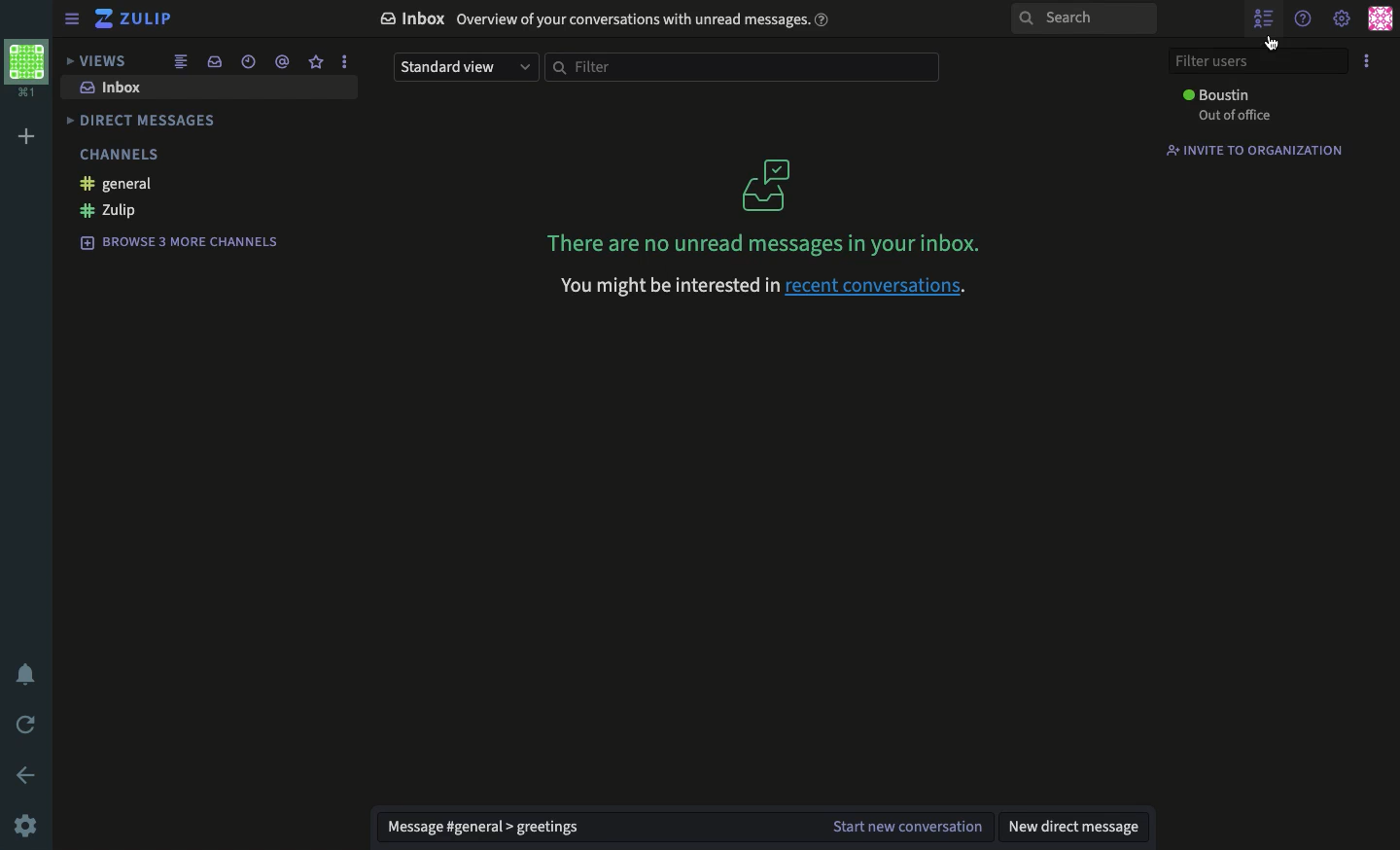  What do you see at coordinates (884, 286) in the screenshot?
I see `recent conversations` at bounding box center [884, 286].